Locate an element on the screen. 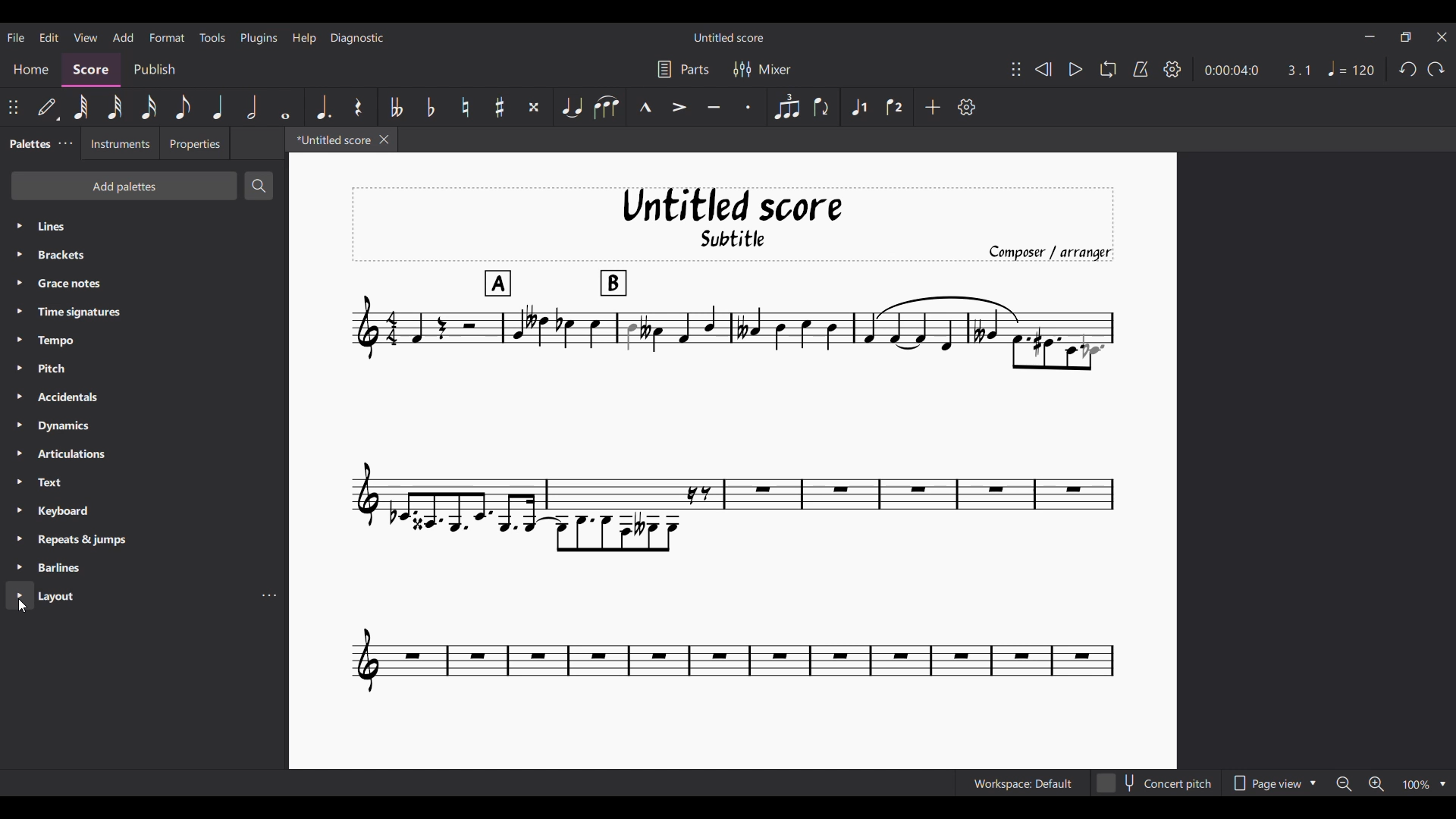 Image resolution: width=1456 pixels, height=819 pixels. Articulations is located at coordinates (145, 453).